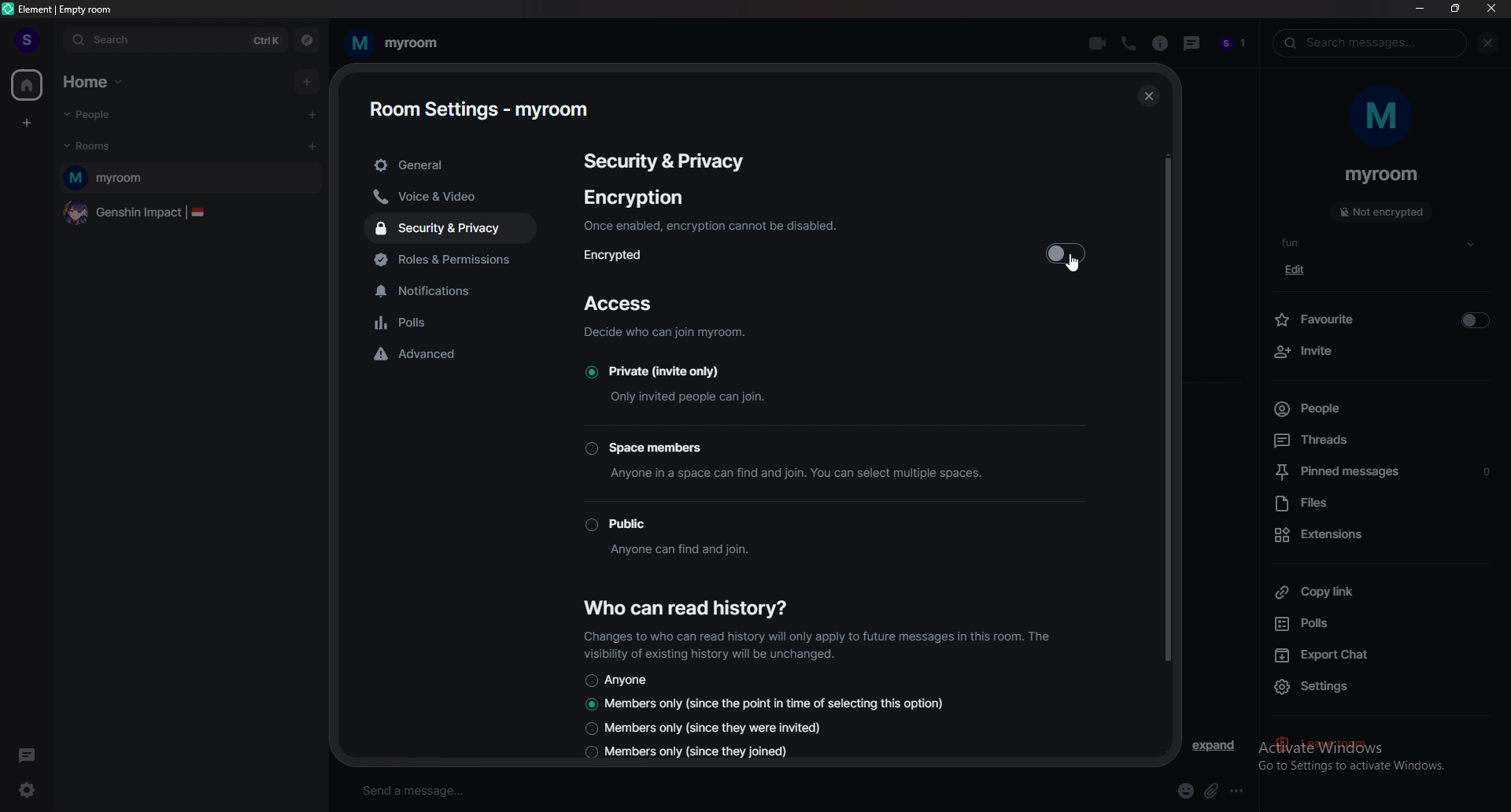 This screenshot has height=812, width=1511. What do you see at coordinates (1073, 266) in the screenshot?
I see `cursor` at bounding box center [1073, 266].